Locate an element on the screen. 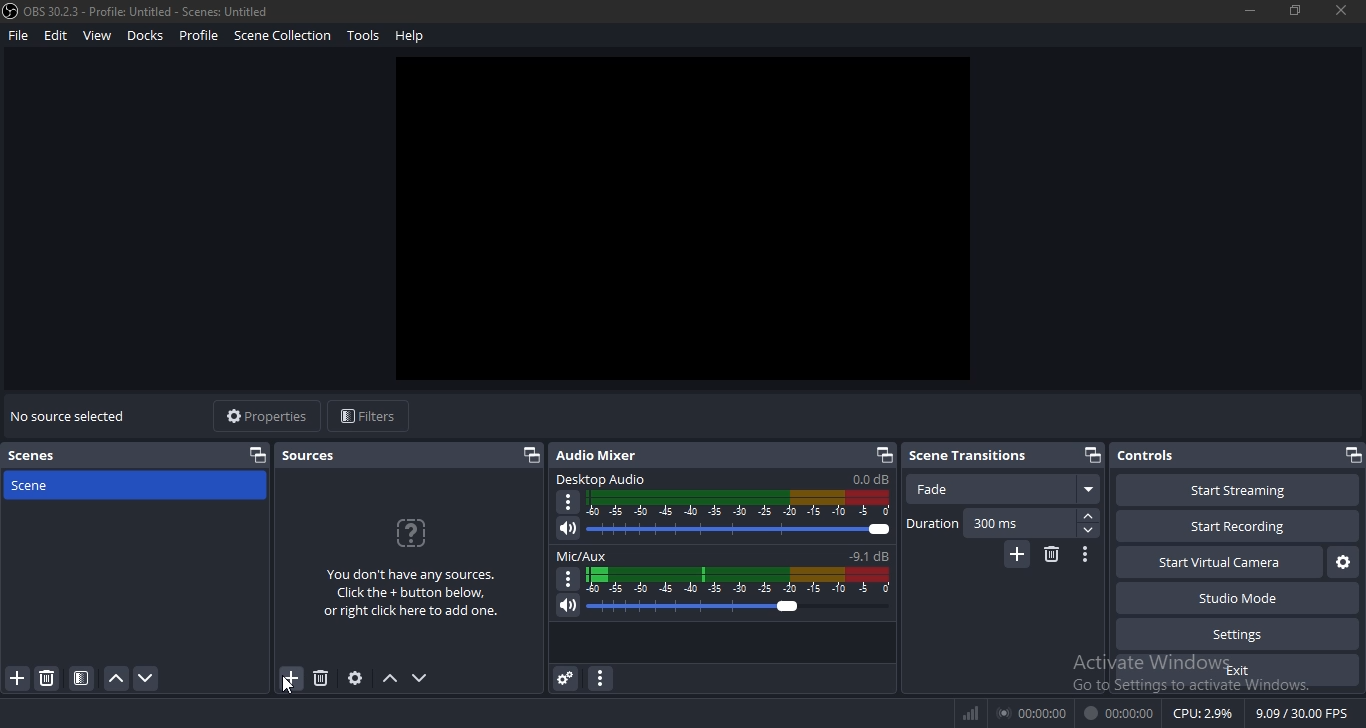 The height and width of the screenshot is (728, 1366). tools is located at coordinates (364, 37).